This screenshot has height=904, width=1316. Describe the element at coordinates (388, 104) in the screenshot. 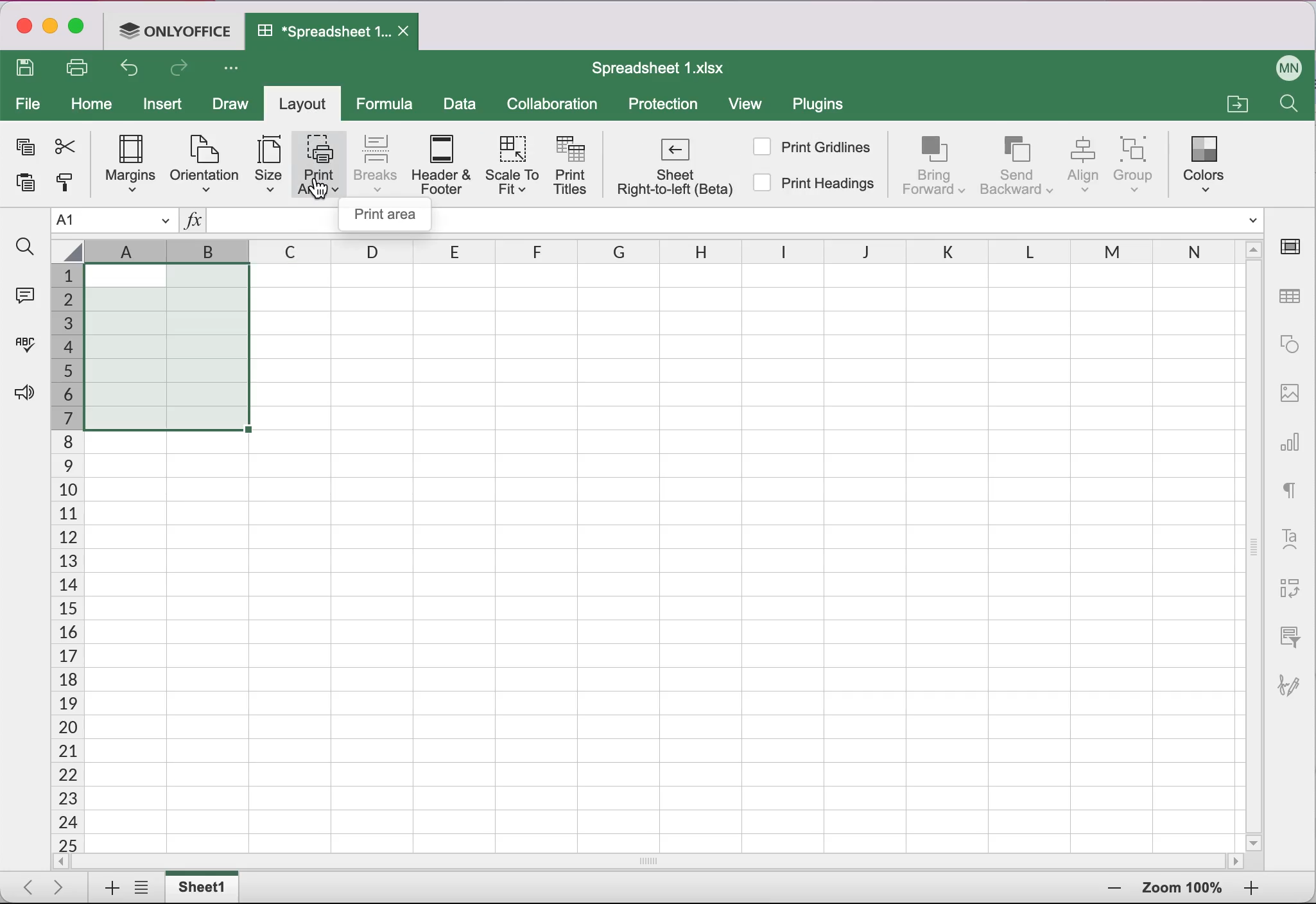

I see `formula` at that location.